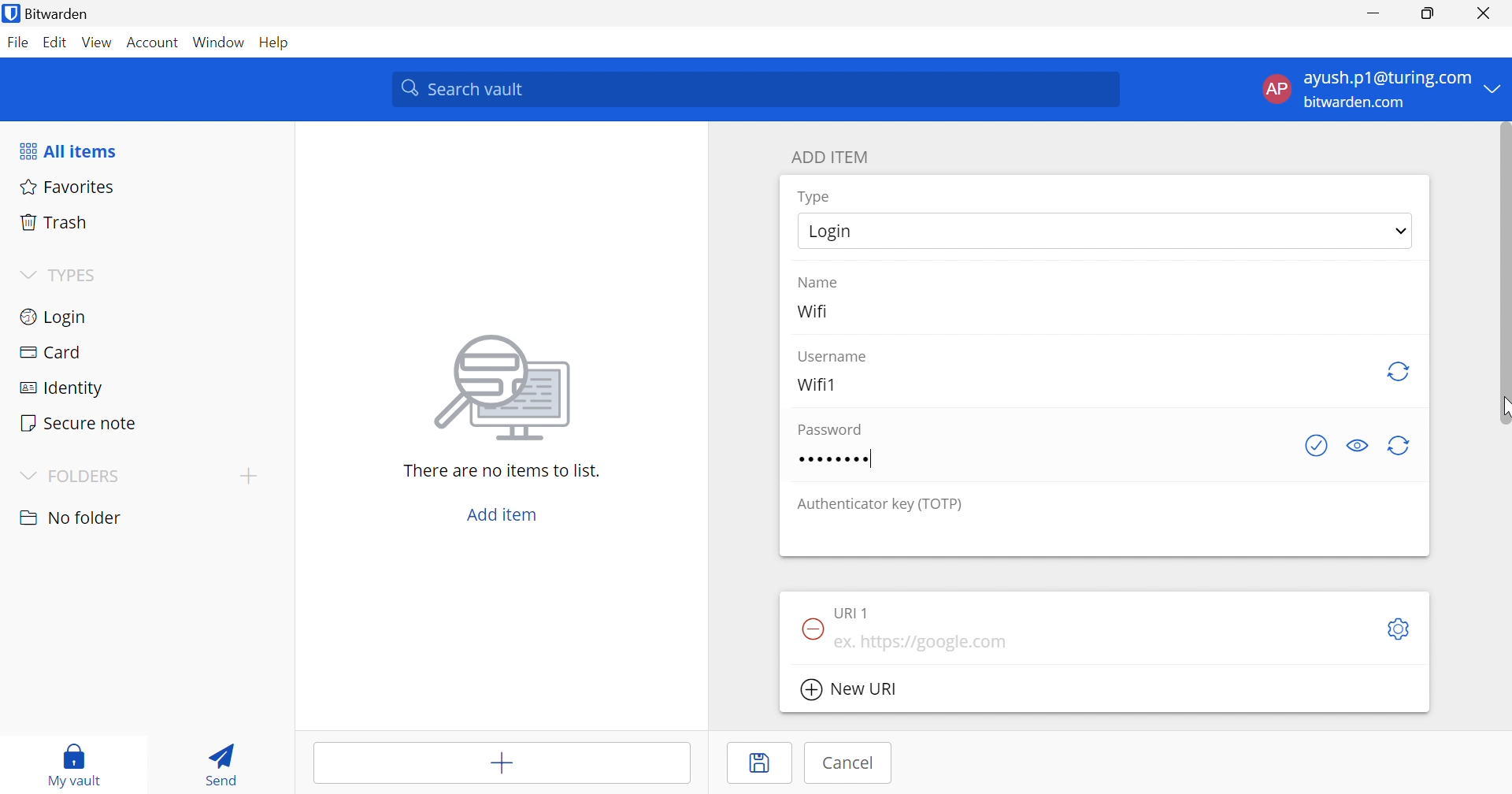 This screenshot has width=1512, height=794. Describe the element at coordinates (1358, 103) in the screenshot. I see `bitwarden.com` at that location.